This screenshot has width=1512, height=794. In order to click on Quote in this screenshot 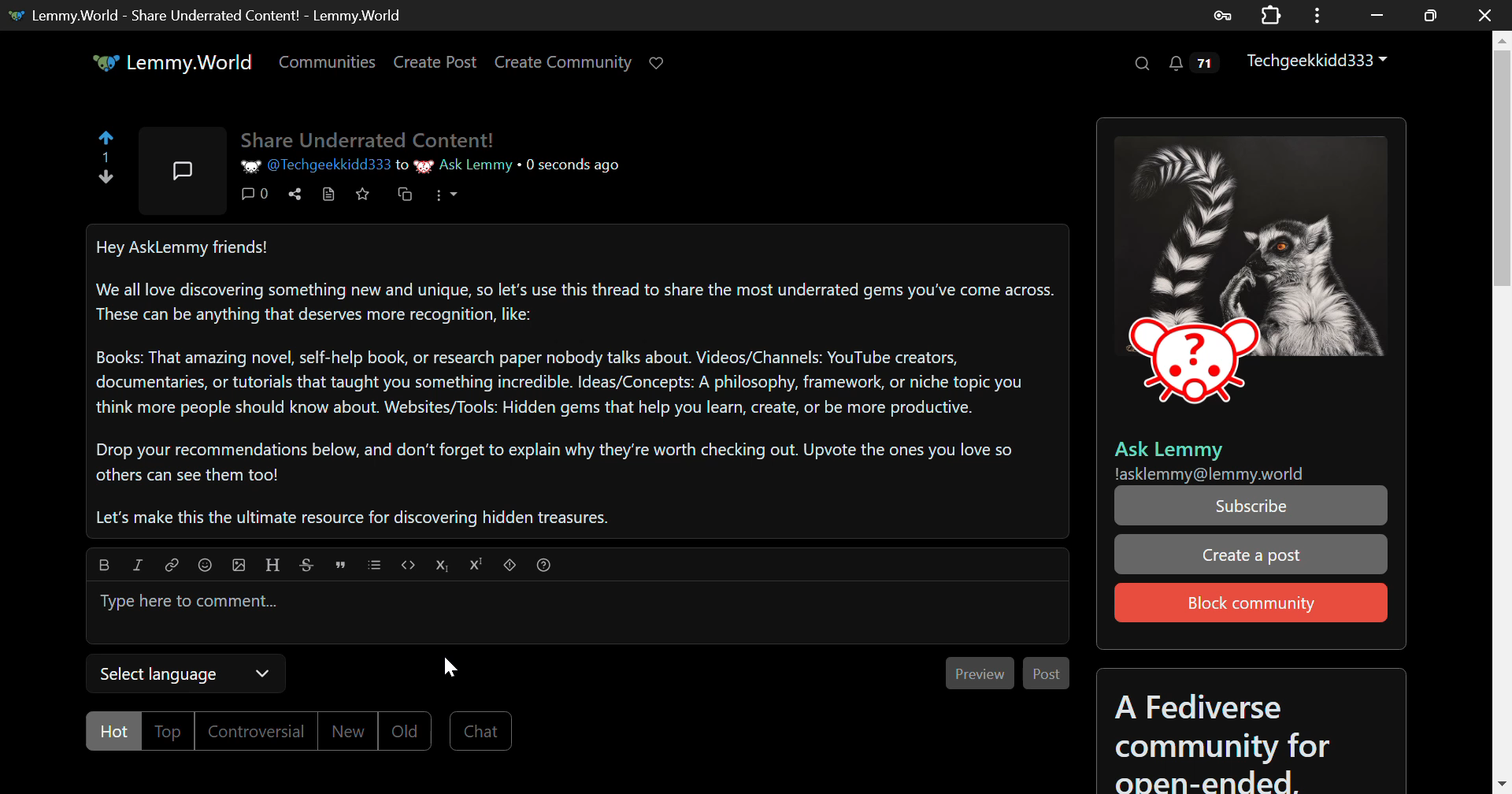, I will do `click(342, 566)`.